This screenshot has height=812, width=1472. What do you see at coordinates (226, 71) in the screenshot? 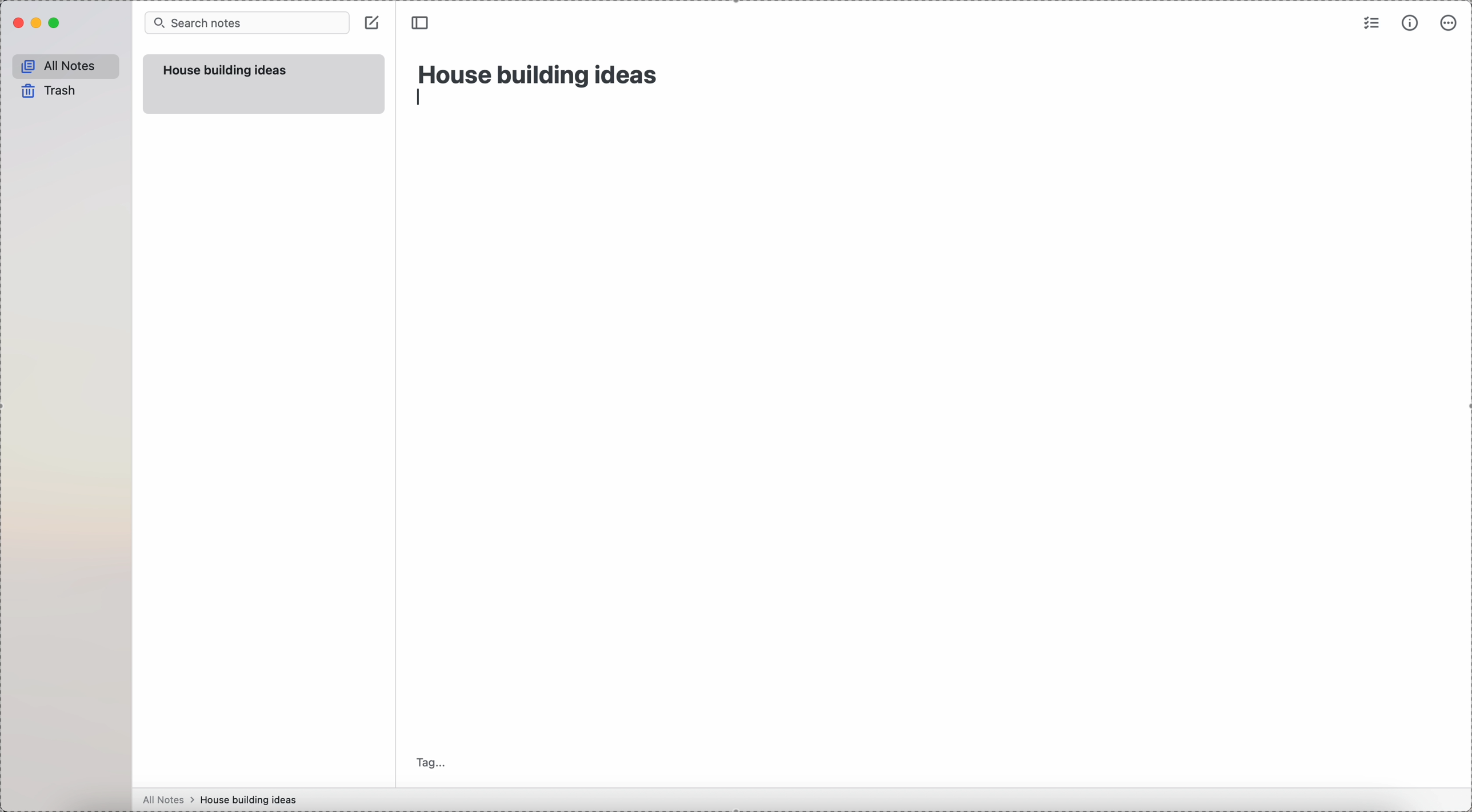
I see `house building ideas` at bounding box center [226, 71].